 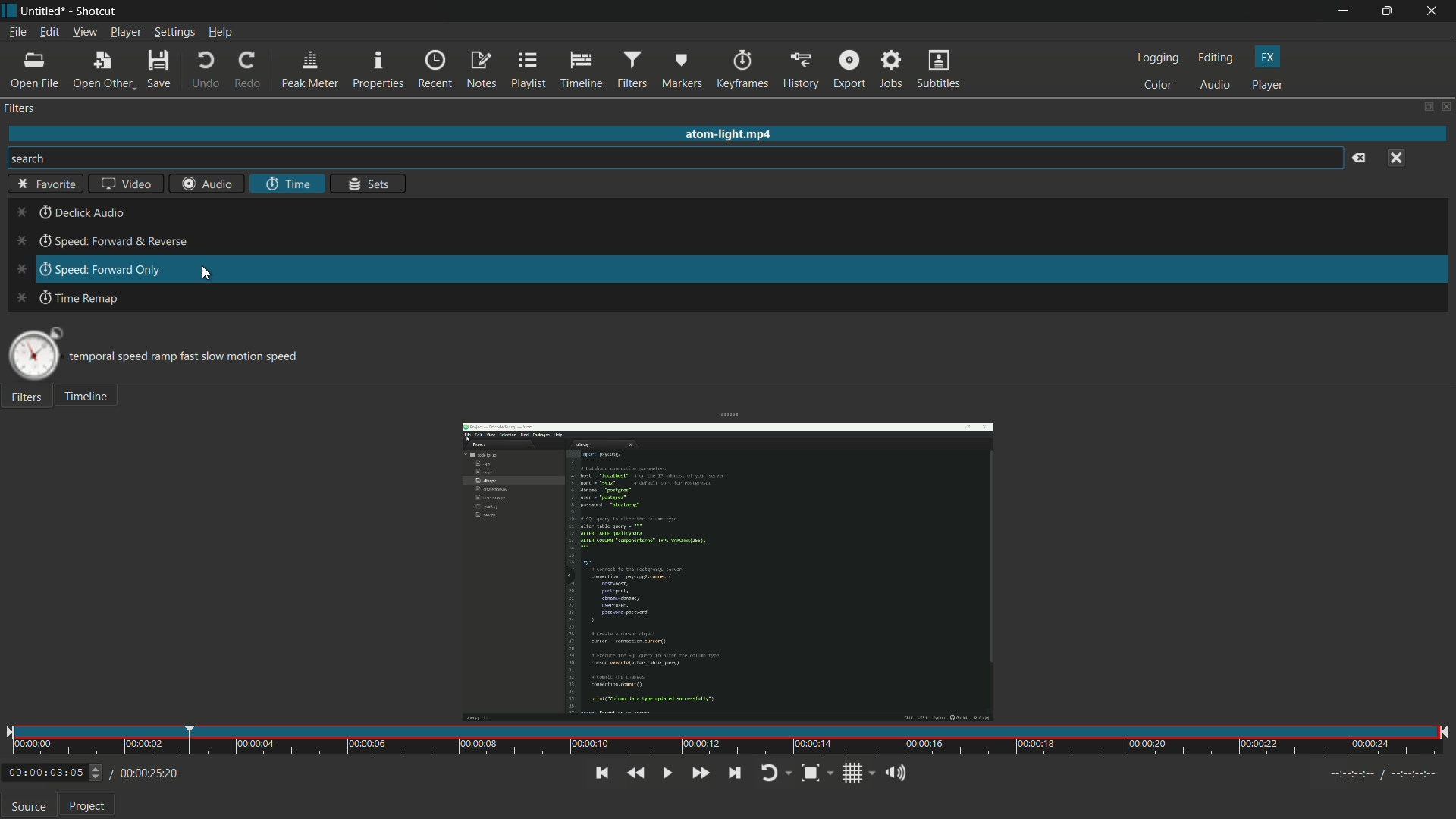 What do you see at coordinates (735, 773) in the screenshot?
I see `skip to the next point` at bounding box center [735, 773].